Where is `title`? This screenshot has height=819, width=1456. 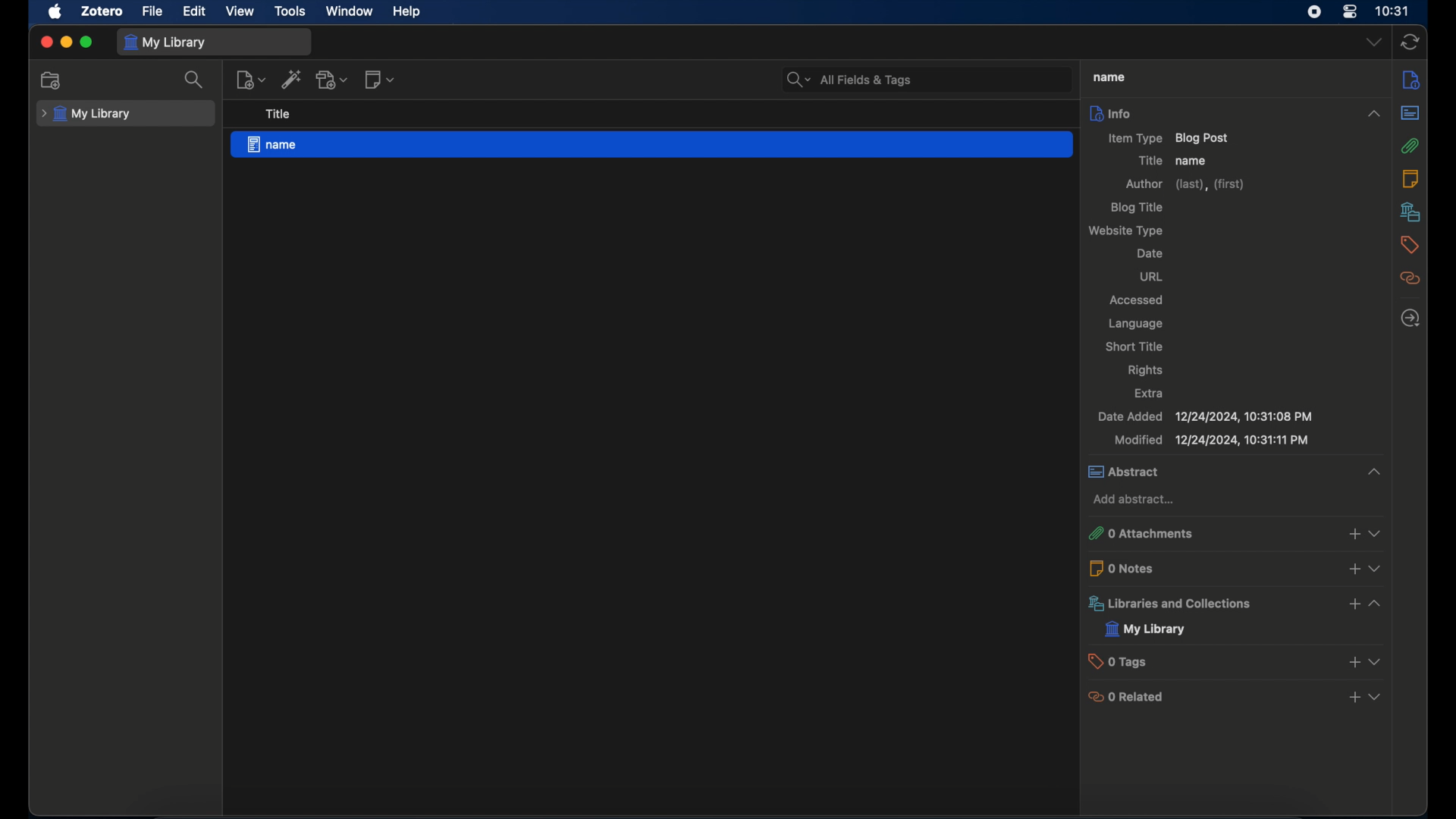
title is located at coordinates (1147, 161).